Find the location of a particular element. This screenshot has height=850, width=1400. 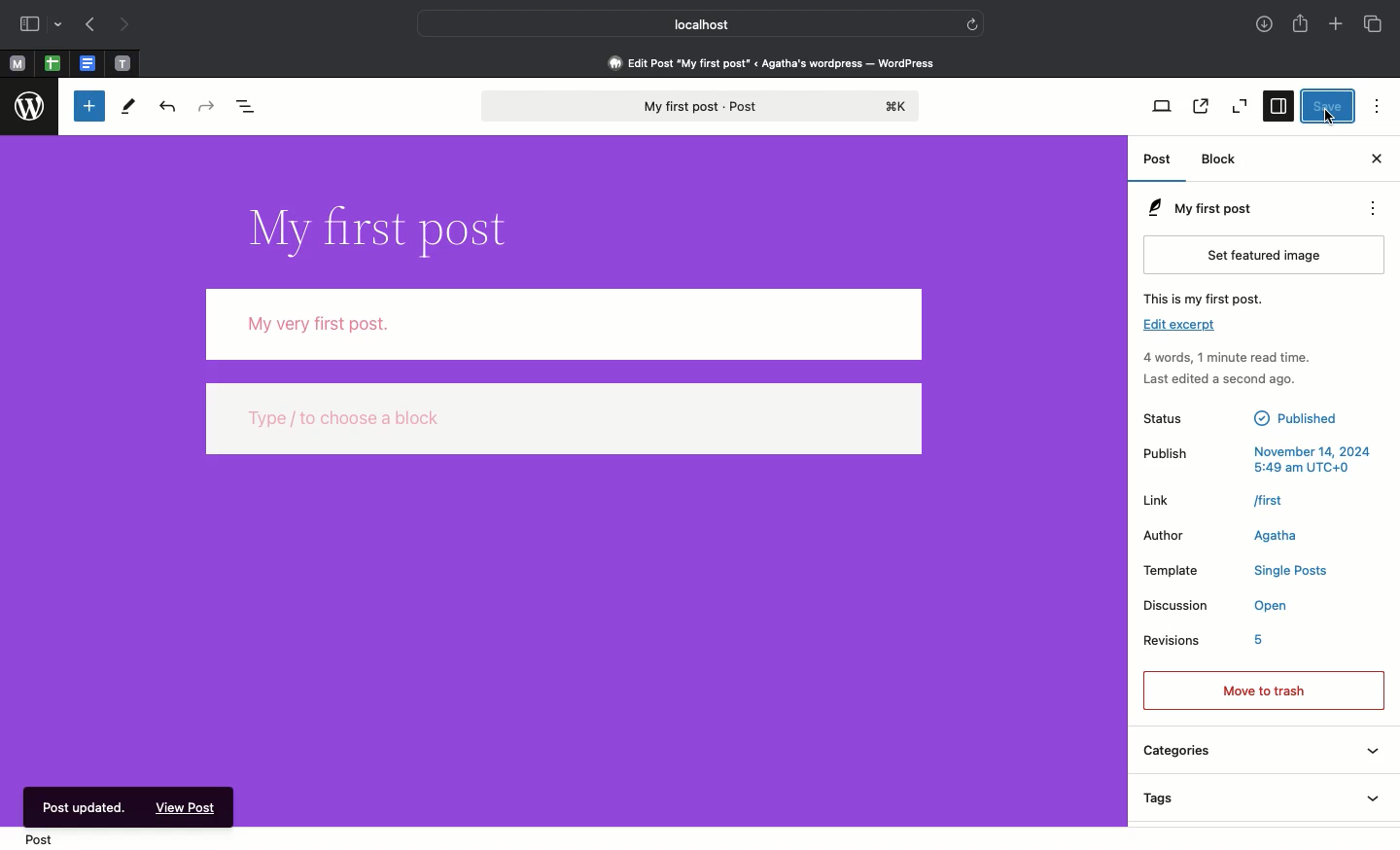

This is my first post. is located at coordinates (1218, 298).